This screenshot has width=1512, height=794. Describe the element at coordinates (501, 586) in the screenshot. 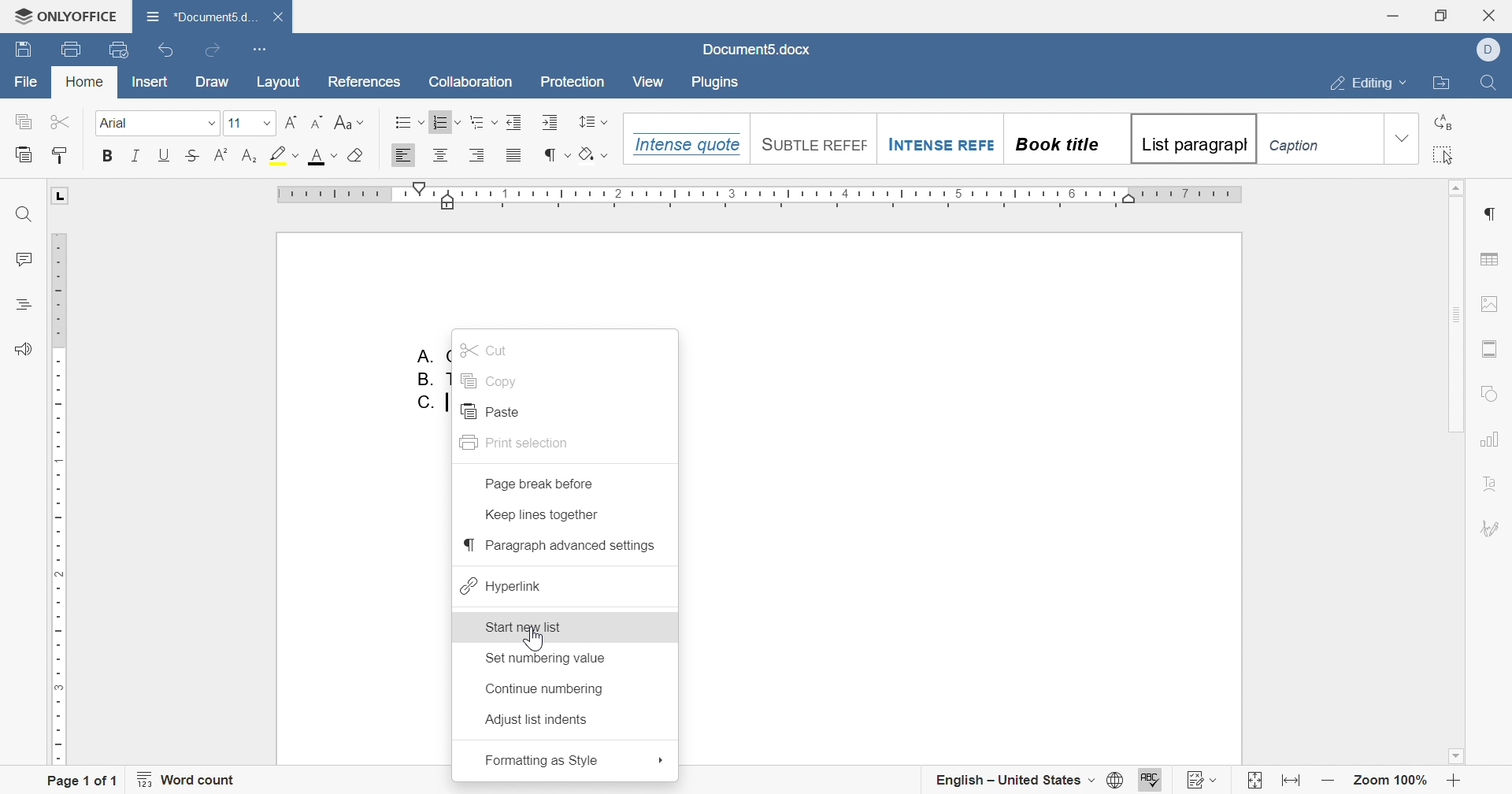

I see `hyperlink` at that location.